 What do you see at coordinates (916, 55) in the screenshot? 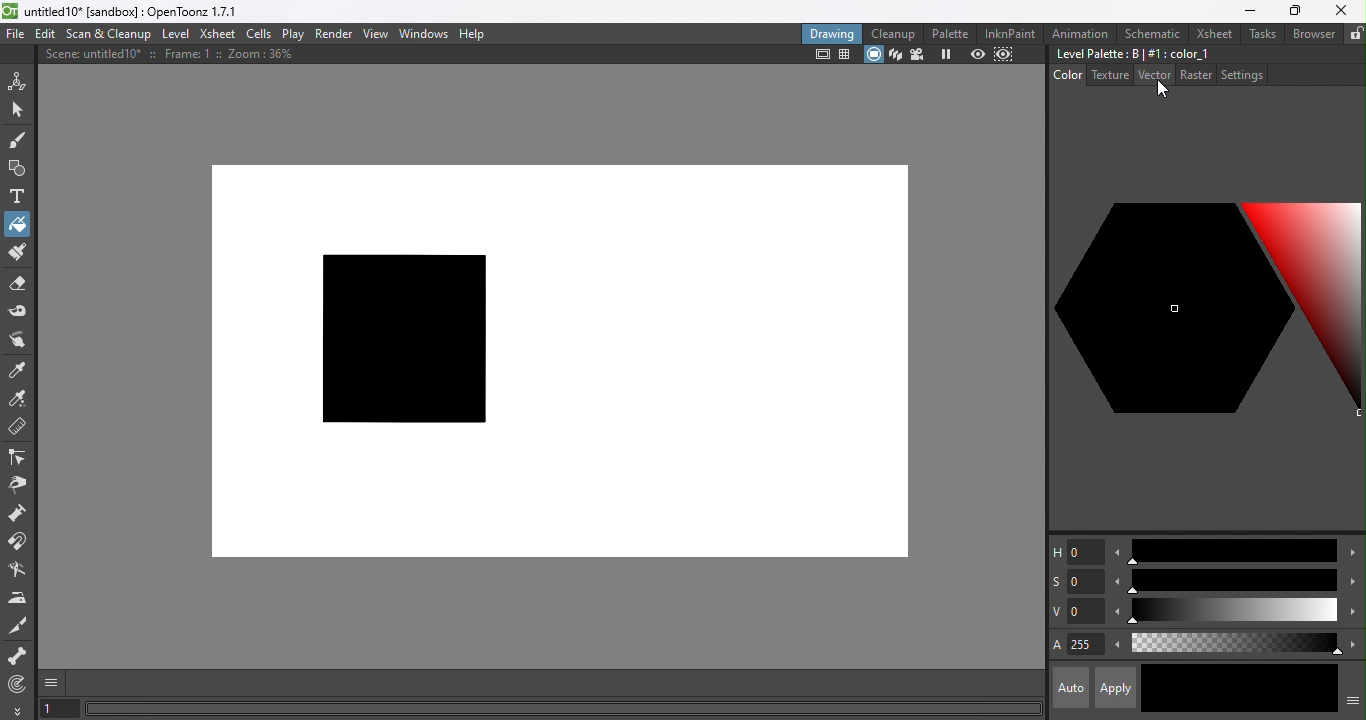
I see `Camera view` at bounding box center [916, 55].